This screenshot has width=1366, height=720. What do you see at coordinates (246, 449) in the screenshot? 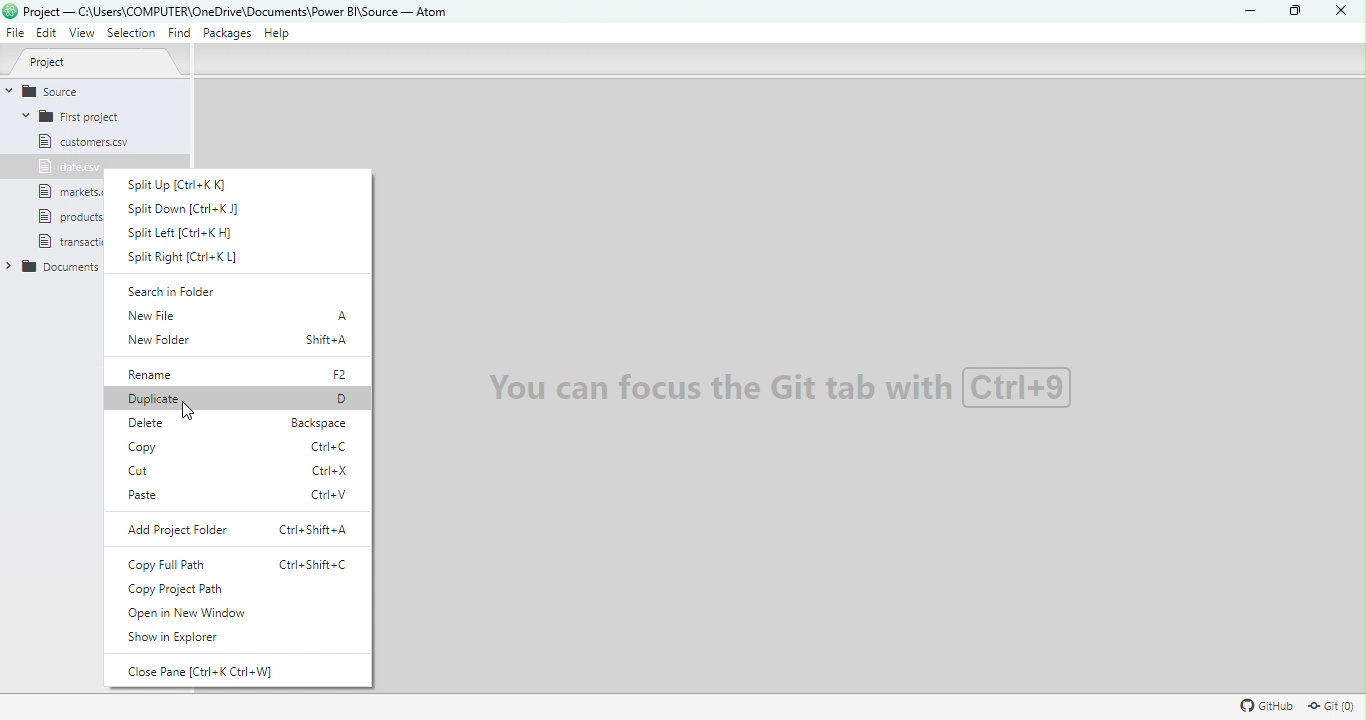
I see `Copy` at bounding box center [246, 449].